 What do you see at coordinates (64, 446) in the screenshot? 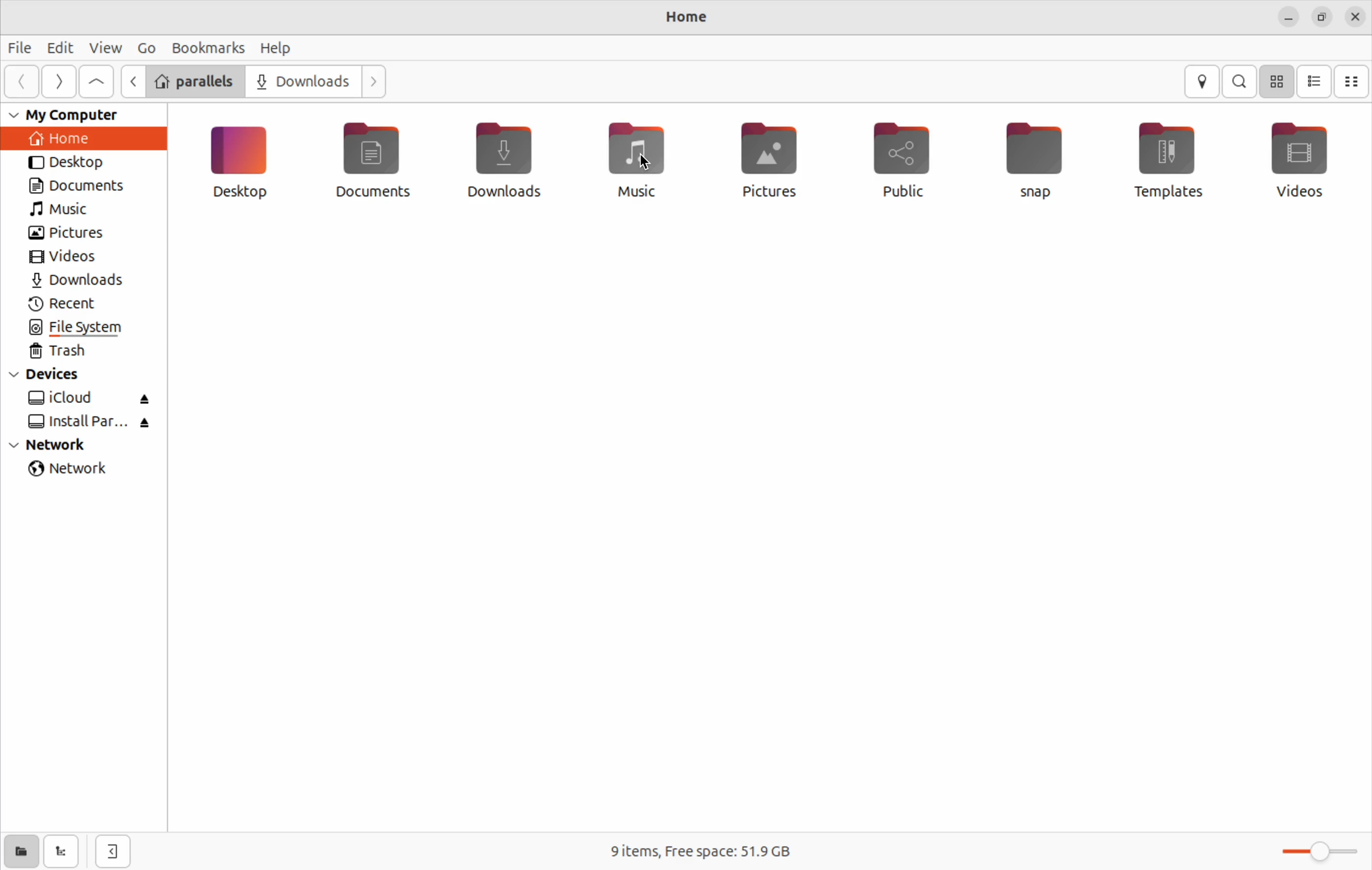
I see `network` at bounding box center [64, 446].